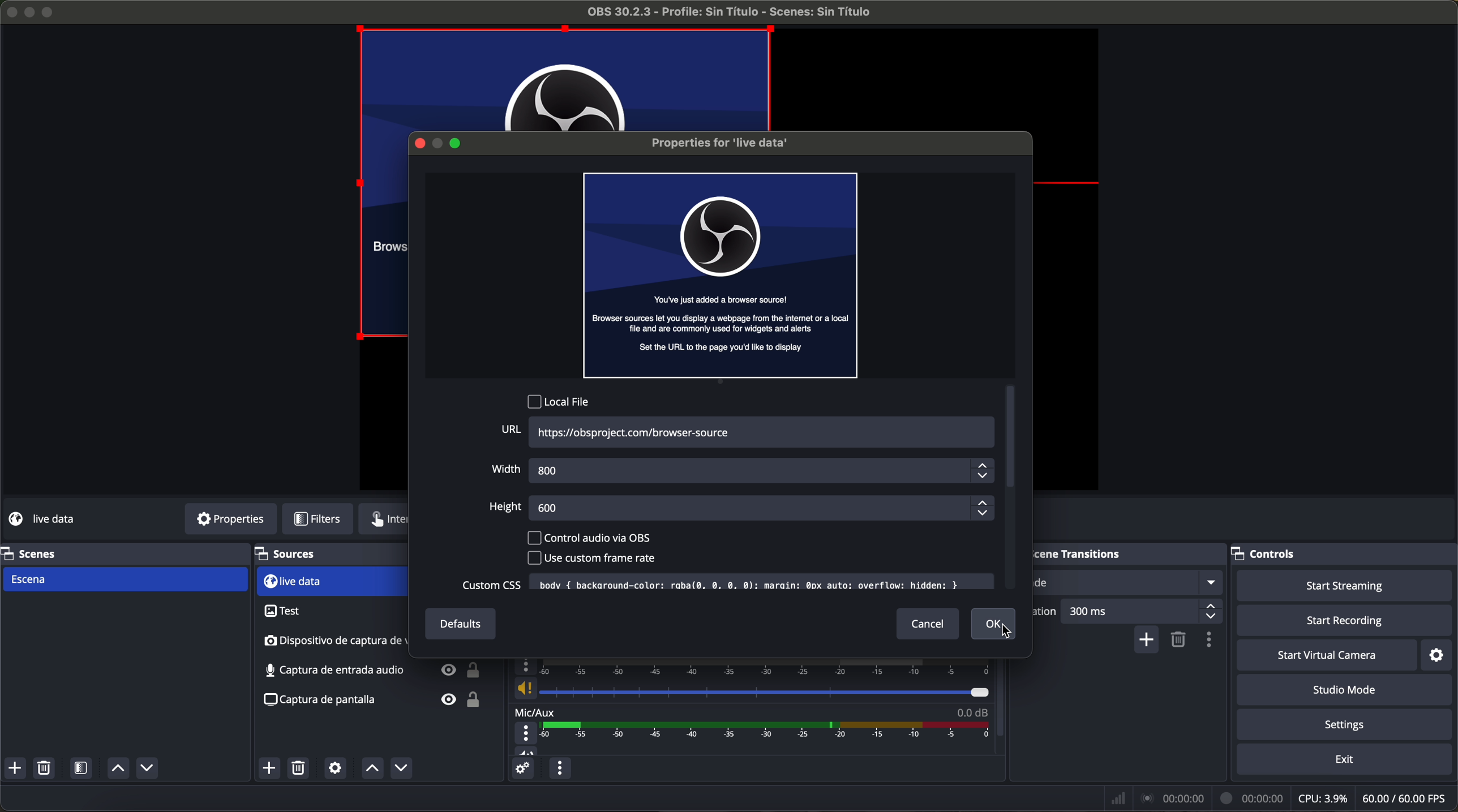 The image size is (1458, 812). What do you see at coordinates (717, 13) in the screenshot?
I see `profile OBS` at bounding box center [717, 13].